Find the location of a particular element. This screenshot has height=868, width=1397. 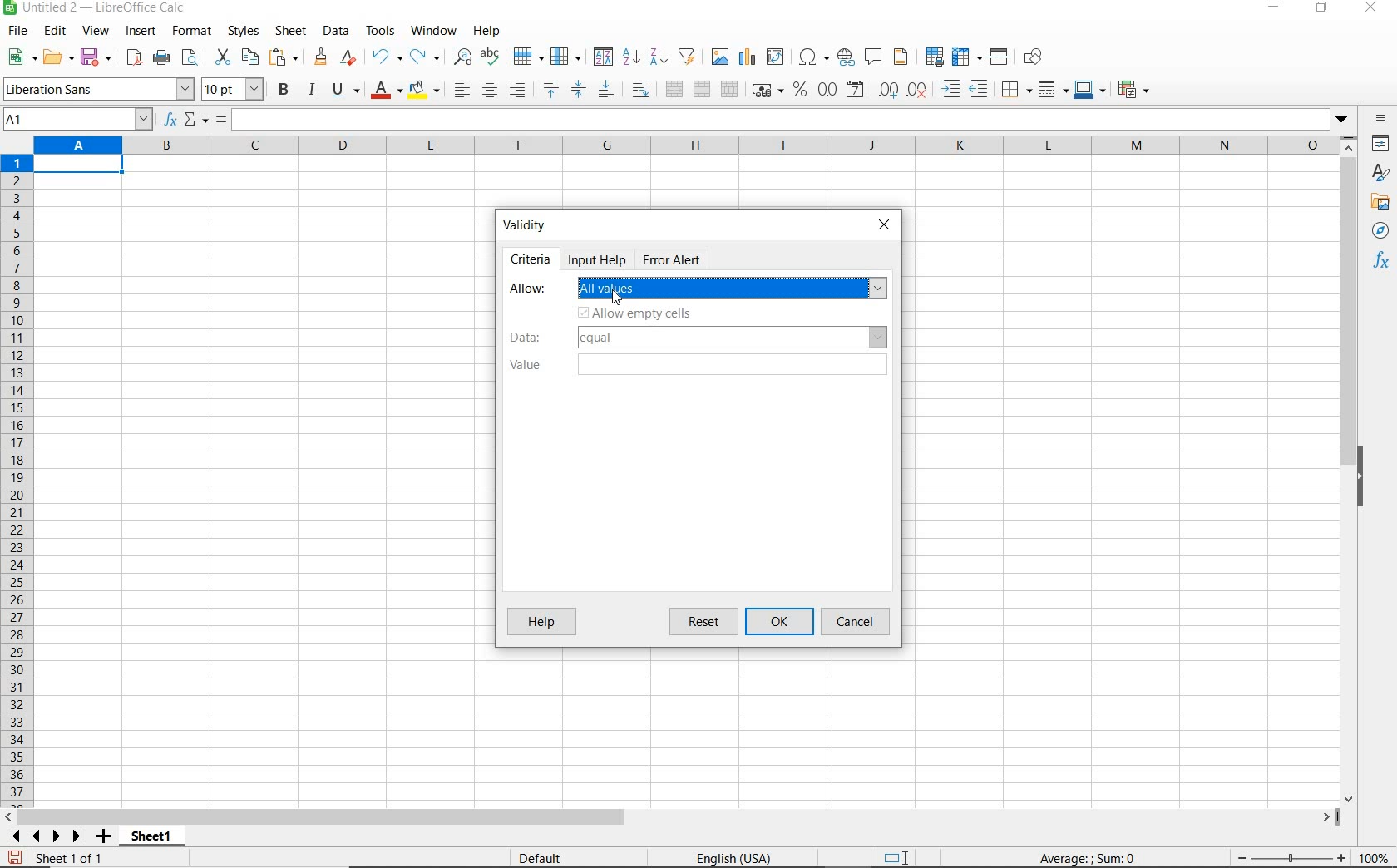

value is located at coordinates (694, 365).